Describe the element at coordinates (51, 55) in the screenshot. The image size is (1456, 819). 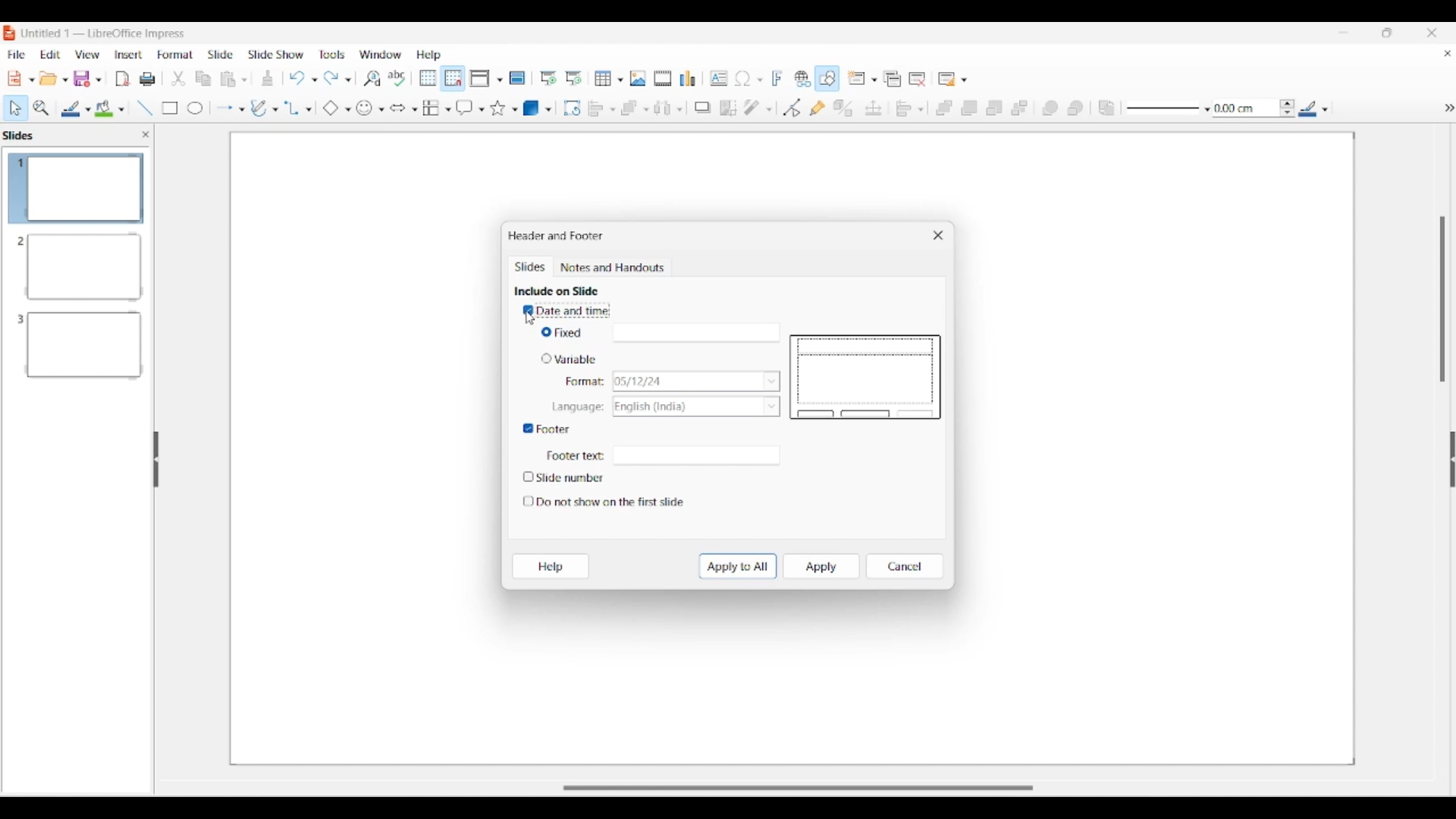
I see `Edit menu` at that location.